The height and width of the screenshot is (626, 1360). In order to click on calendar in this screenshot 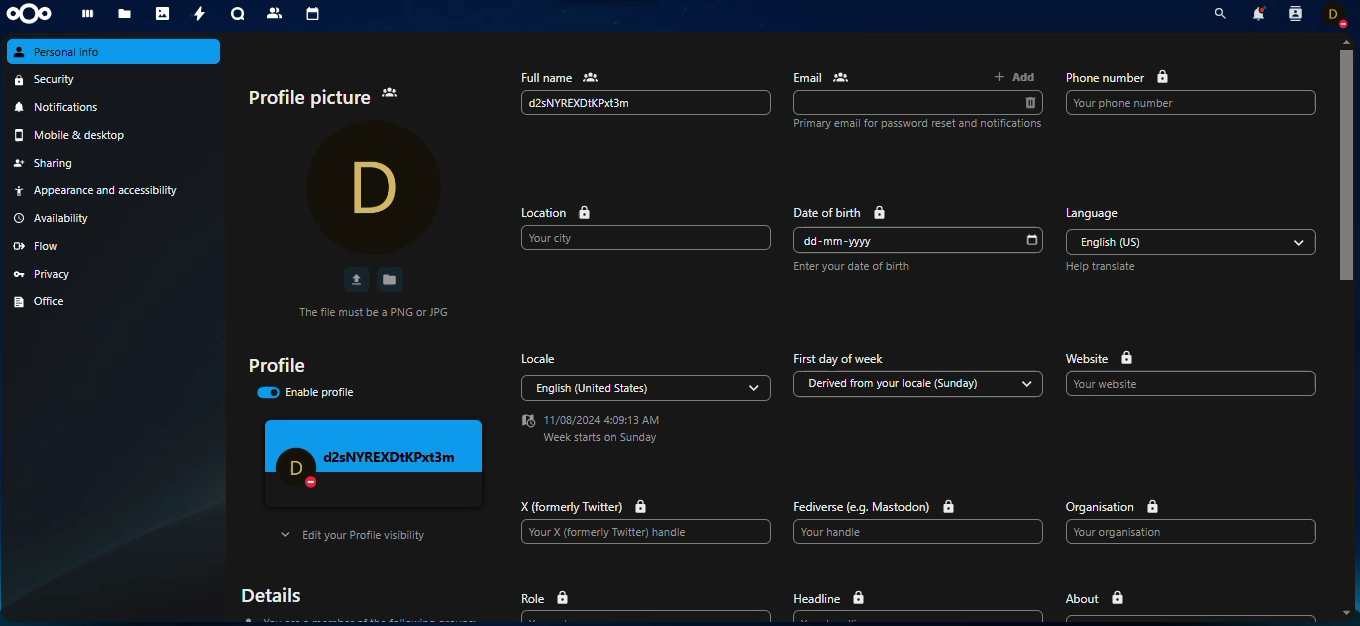, I will do `click(314, 17)`.